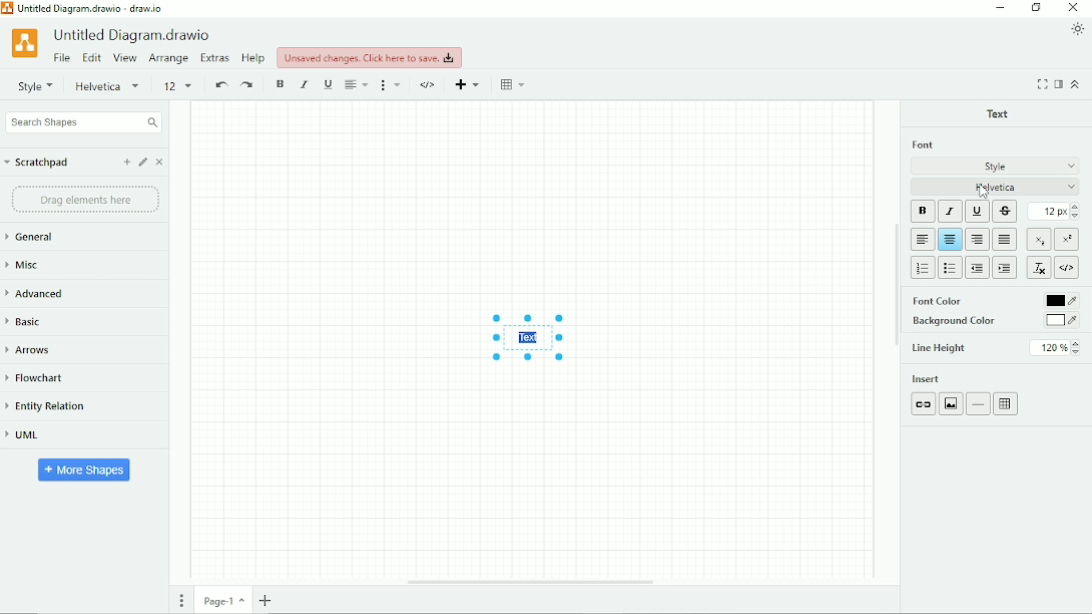  I want to click on white, so click(1059, 320).